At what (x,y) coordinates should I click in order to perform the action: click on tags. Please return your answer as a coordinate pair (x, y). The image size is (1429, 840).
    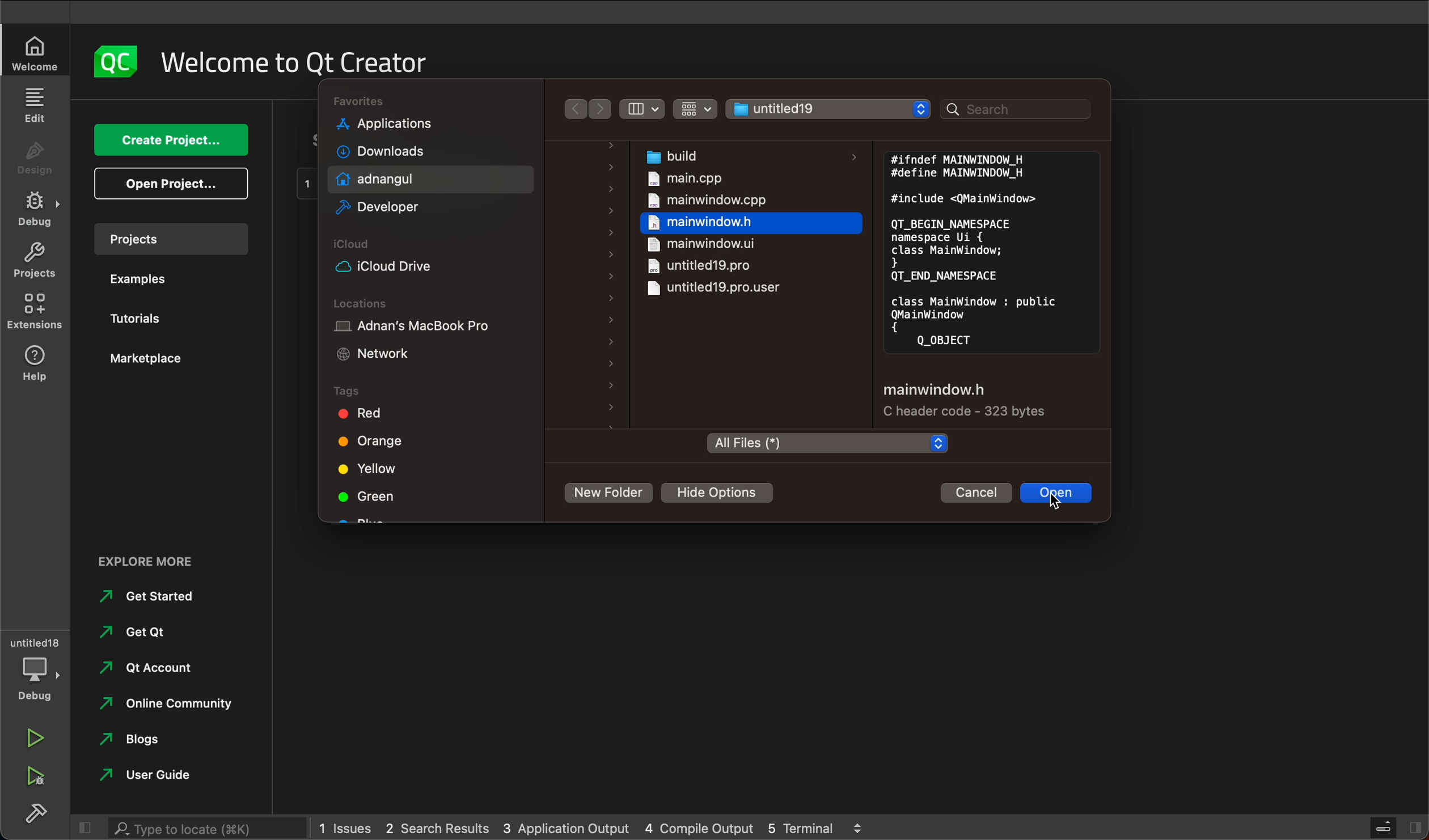
    Looking at the image, I should click on (429, 391).